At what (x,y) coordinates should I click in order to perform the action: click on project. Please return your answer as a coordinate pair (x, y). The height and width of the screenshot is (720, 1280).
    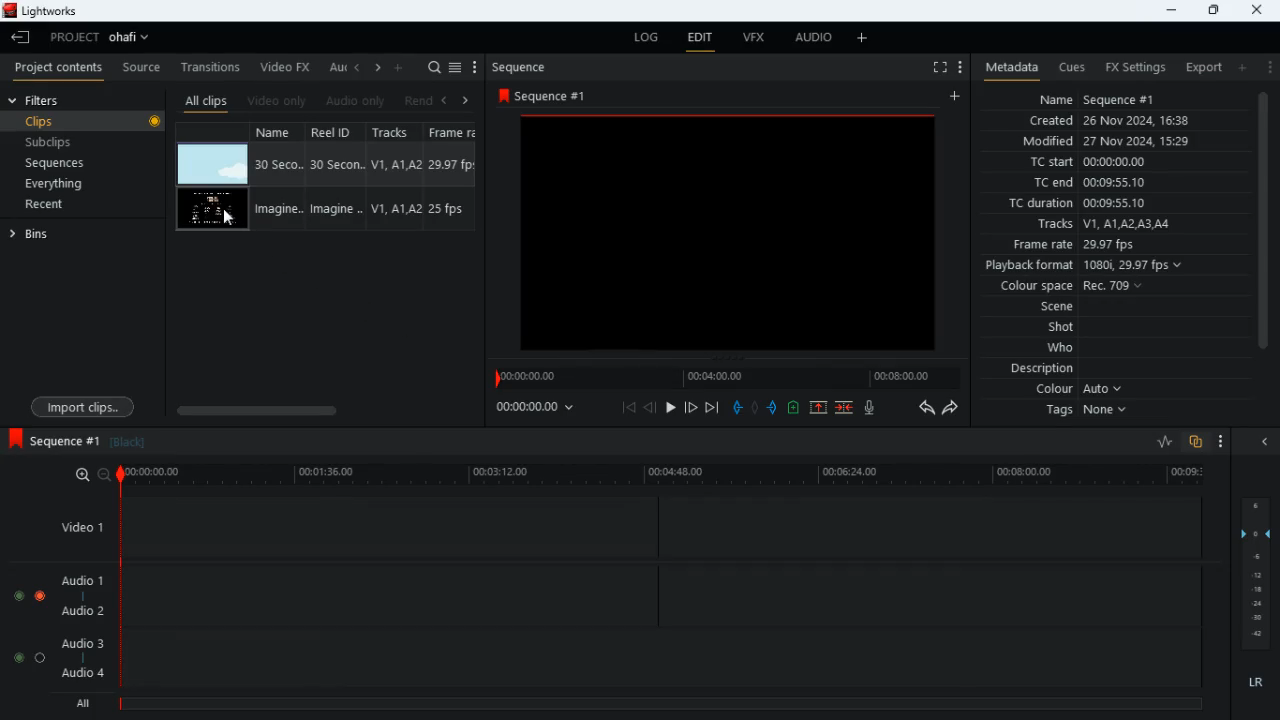
    Looking at the image, I should click on (104, 37).